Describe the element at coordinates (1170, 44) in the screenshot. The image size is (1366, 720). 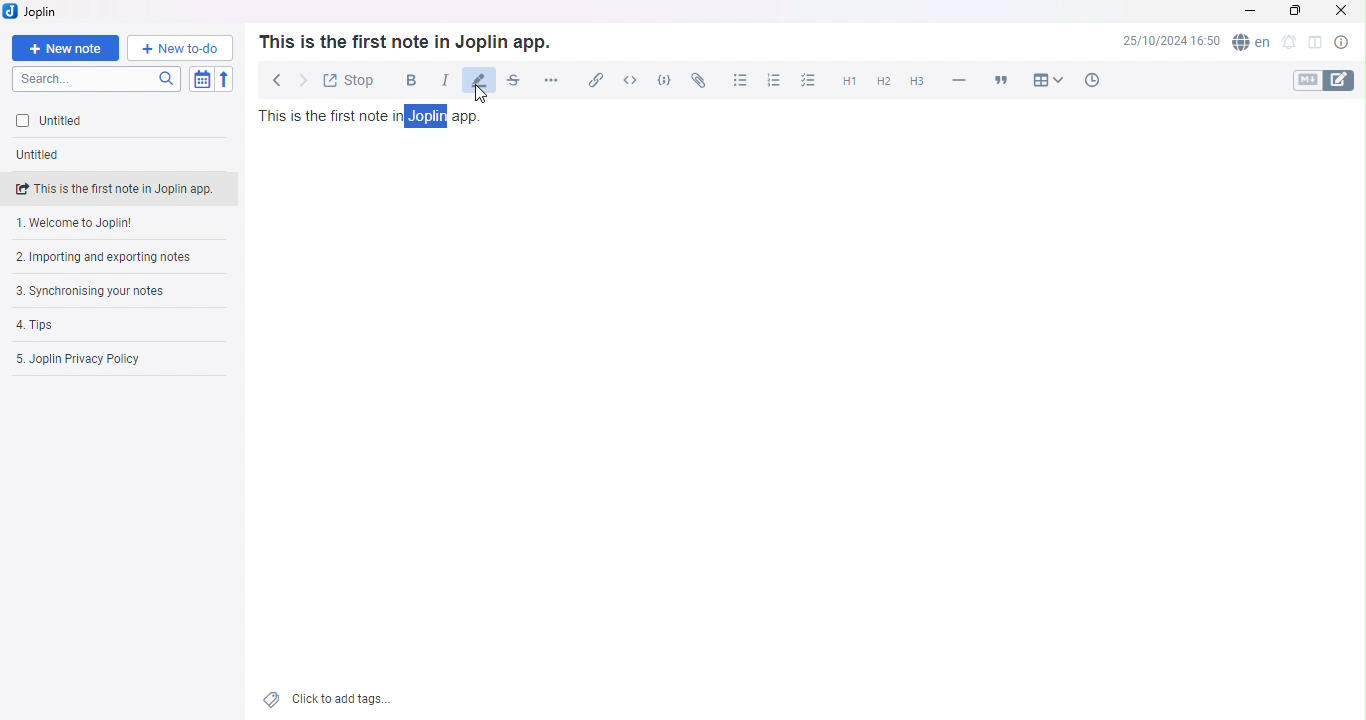
I see `Date and Time` at that location.